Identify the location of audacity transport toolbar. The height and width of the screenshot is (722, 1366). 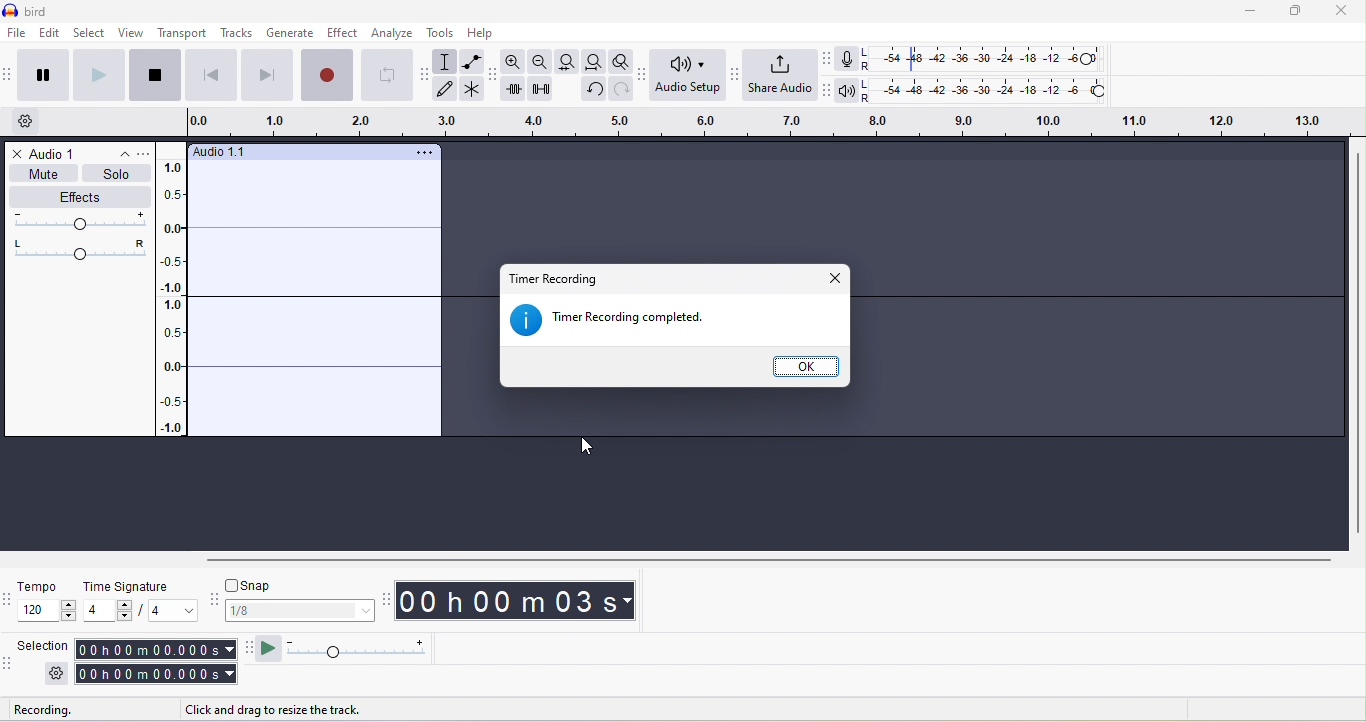
(9, 74).